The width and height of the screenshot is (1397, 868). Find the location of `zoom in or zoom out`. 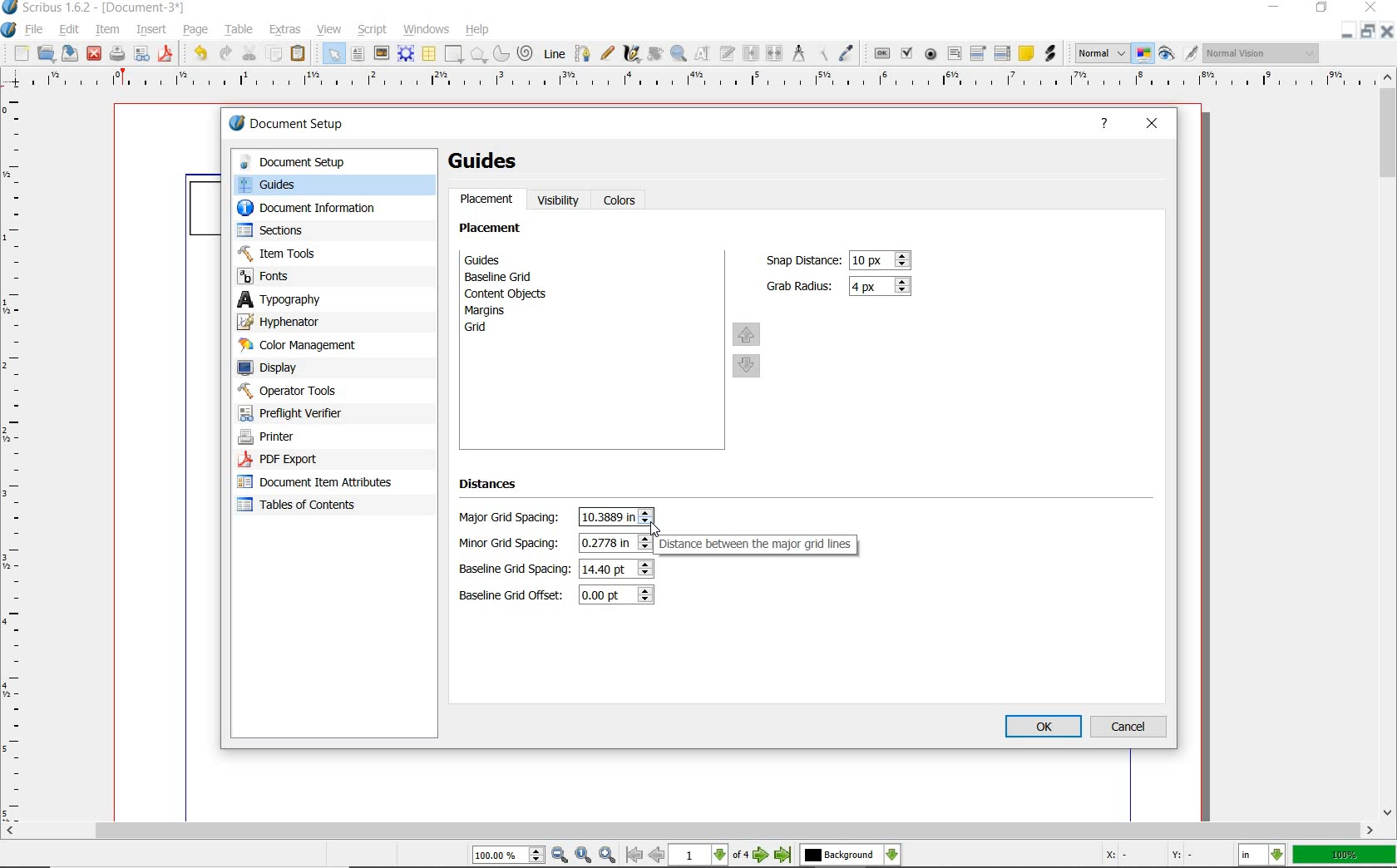

zoom in or zoom out is located at coordinates (679, 55).